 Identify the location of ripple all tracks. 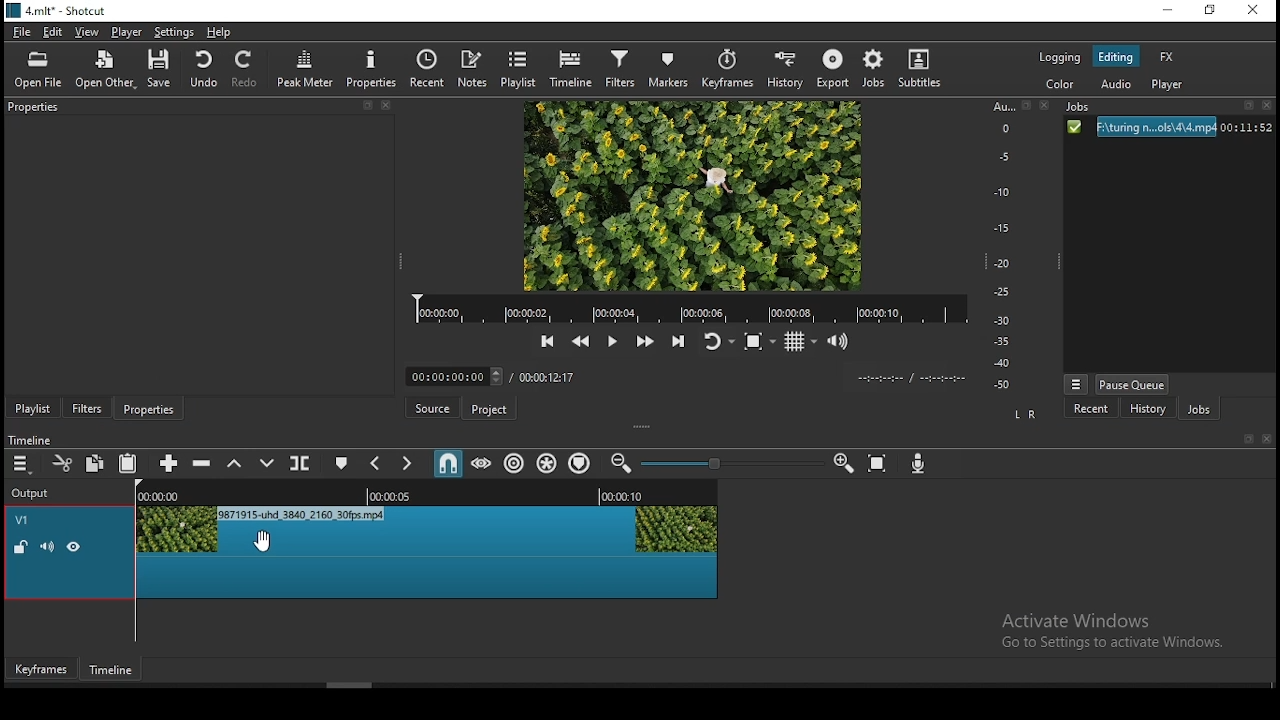
(547, 464).